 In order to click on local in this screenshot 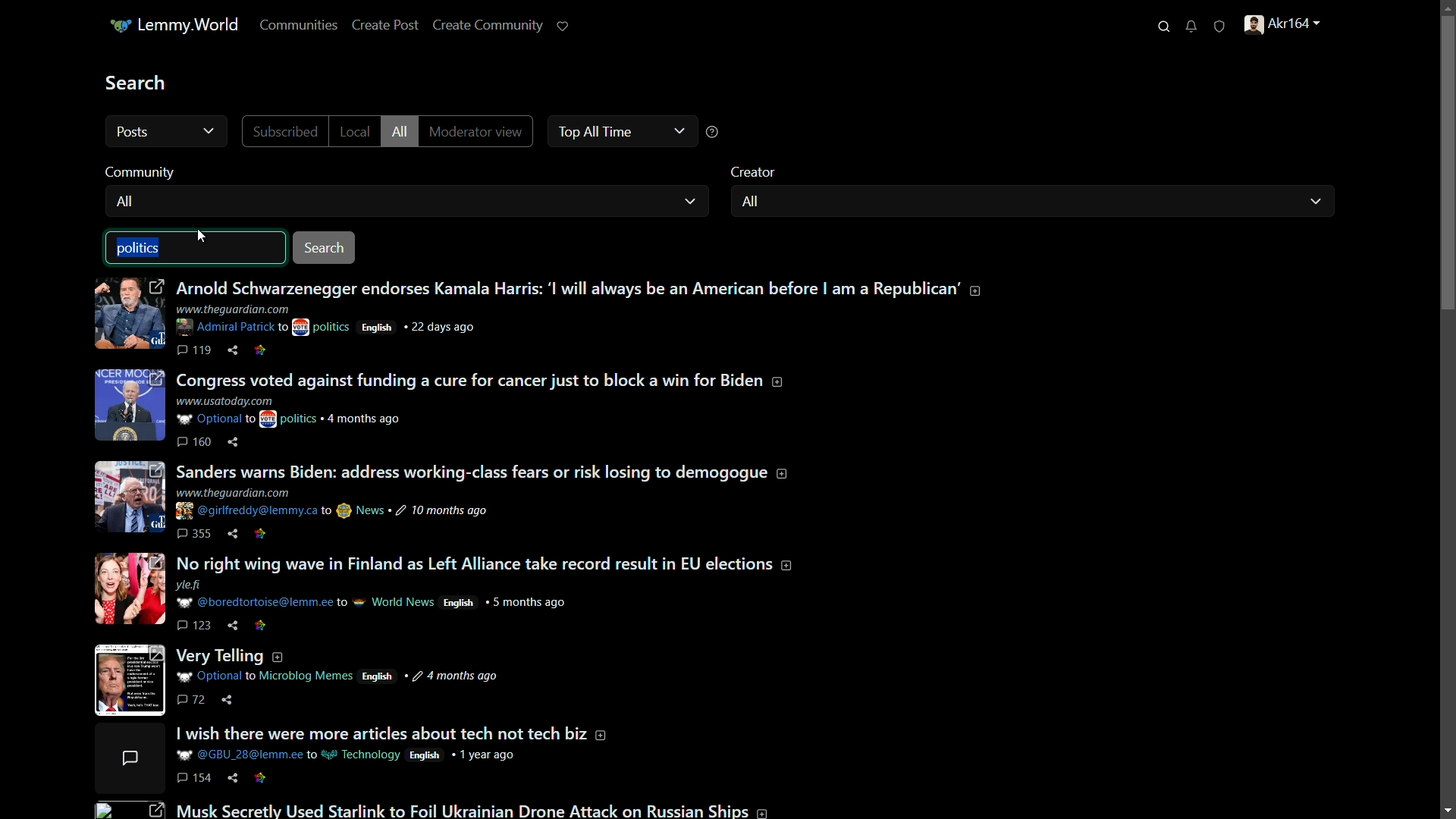, I will do `click(361, 131)`.